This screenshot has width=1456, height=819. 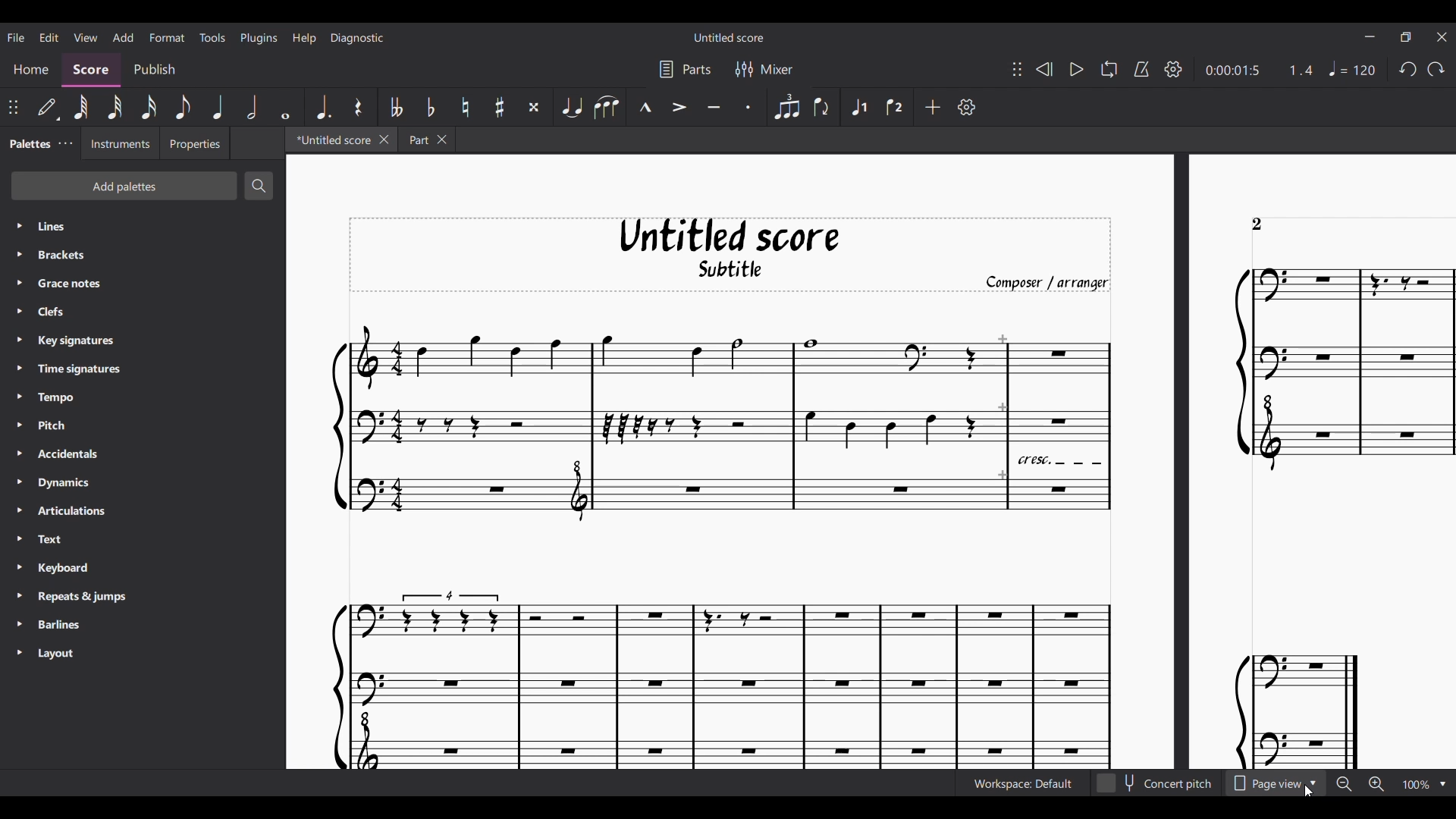 What do you see at coordinates (857, 107) in the screenshot?
I see `Voice 1` at bounding box center [857, 107].